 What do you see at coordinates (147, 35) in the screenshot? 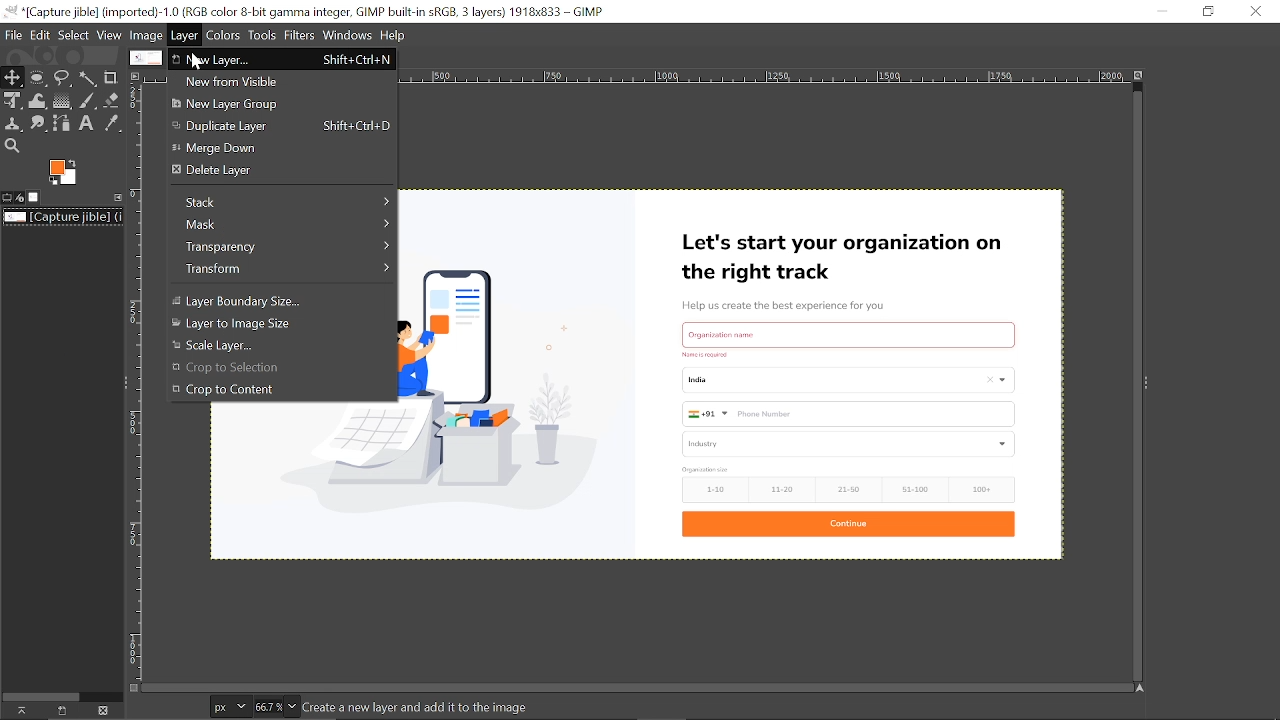
I see `Image` at bounding box center [147, 35].